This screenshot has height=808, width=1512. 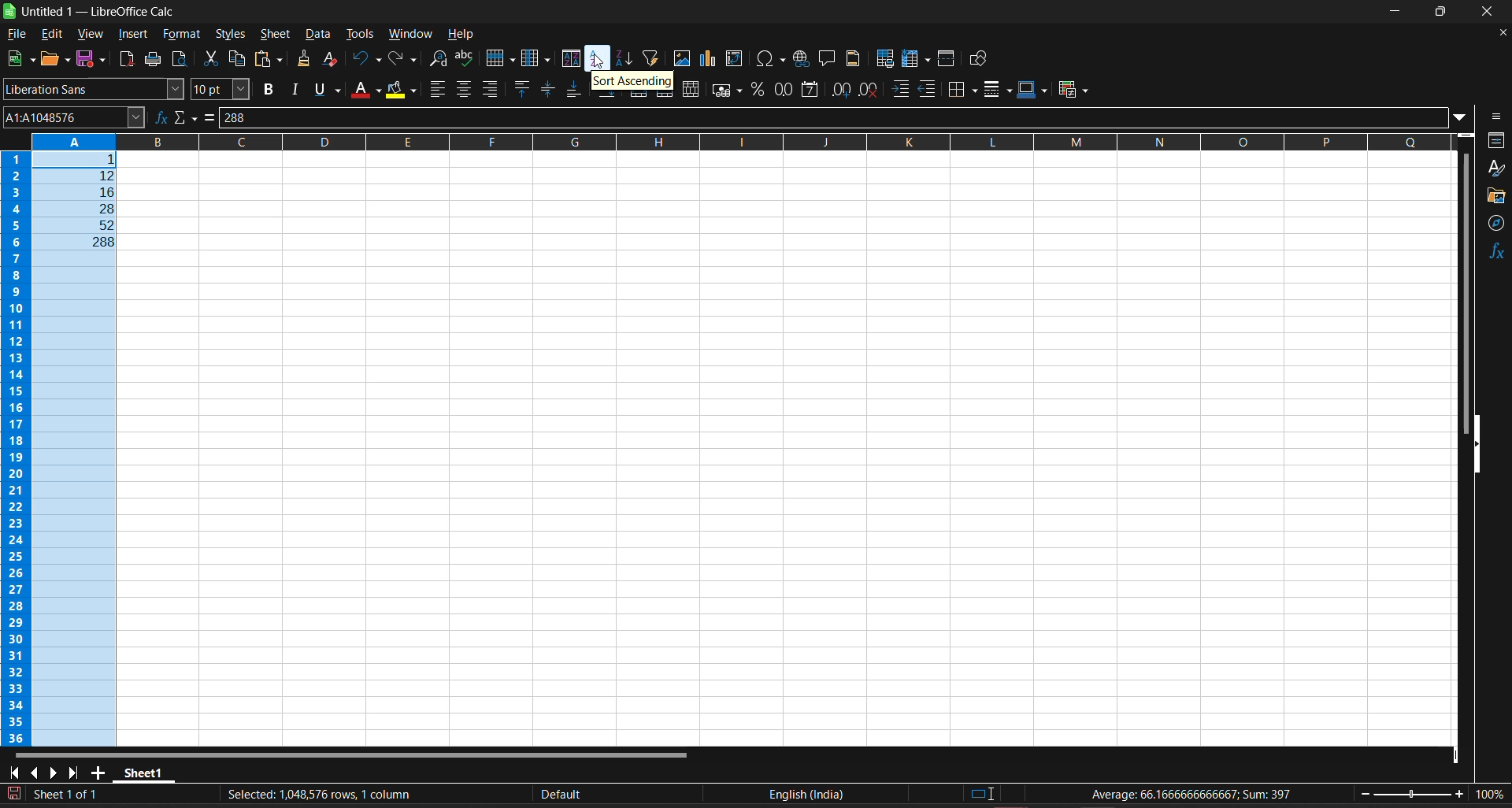 I want to click on format as percent, so click(x=758, y=89).